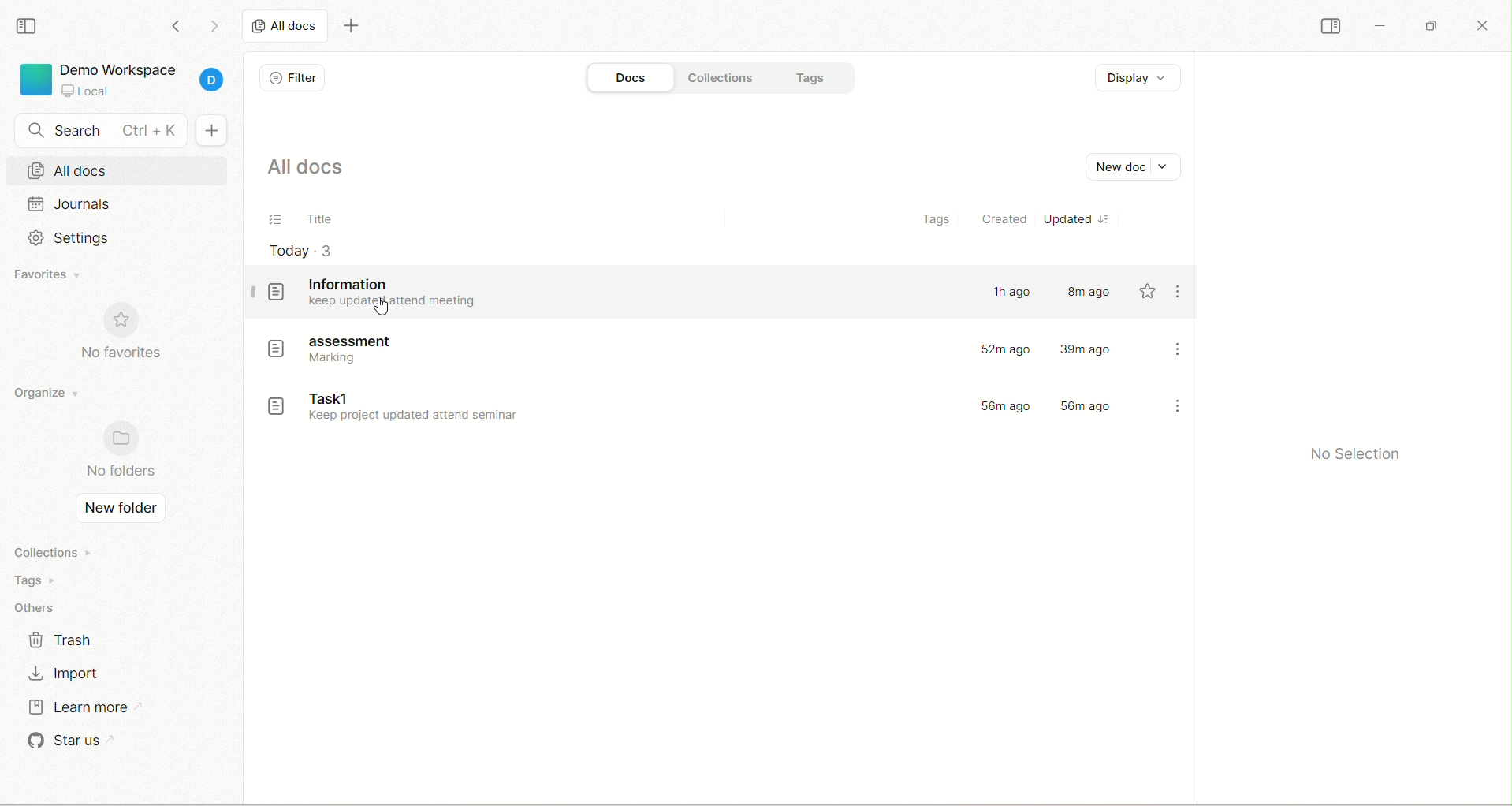  Describe the element at coordinates (389, 353) in the screenshot. I see `document` at that location.